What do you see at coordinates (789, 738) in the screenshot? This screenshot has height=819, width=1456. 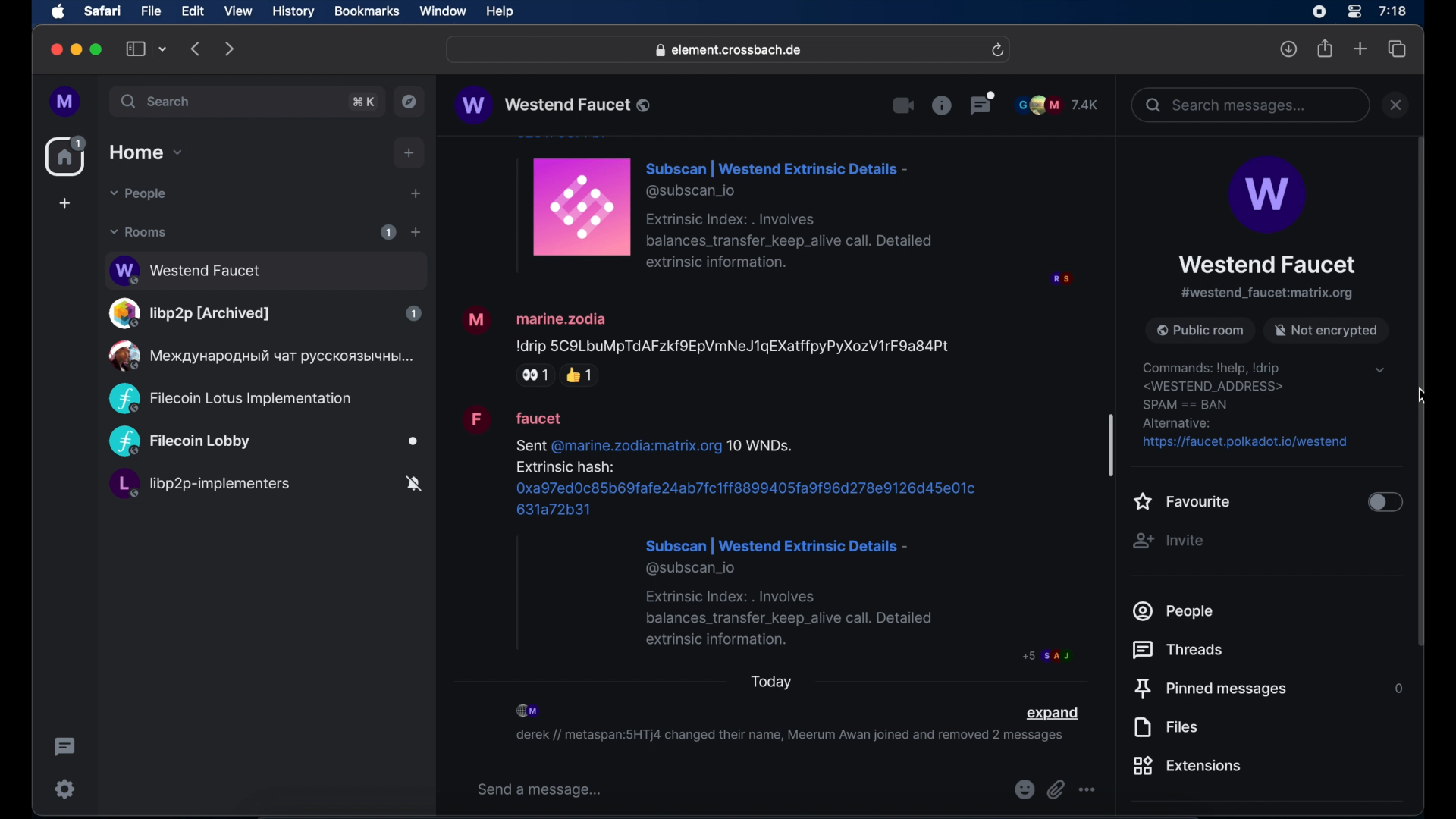 I see `room notification` at bounding box center [789, 738].